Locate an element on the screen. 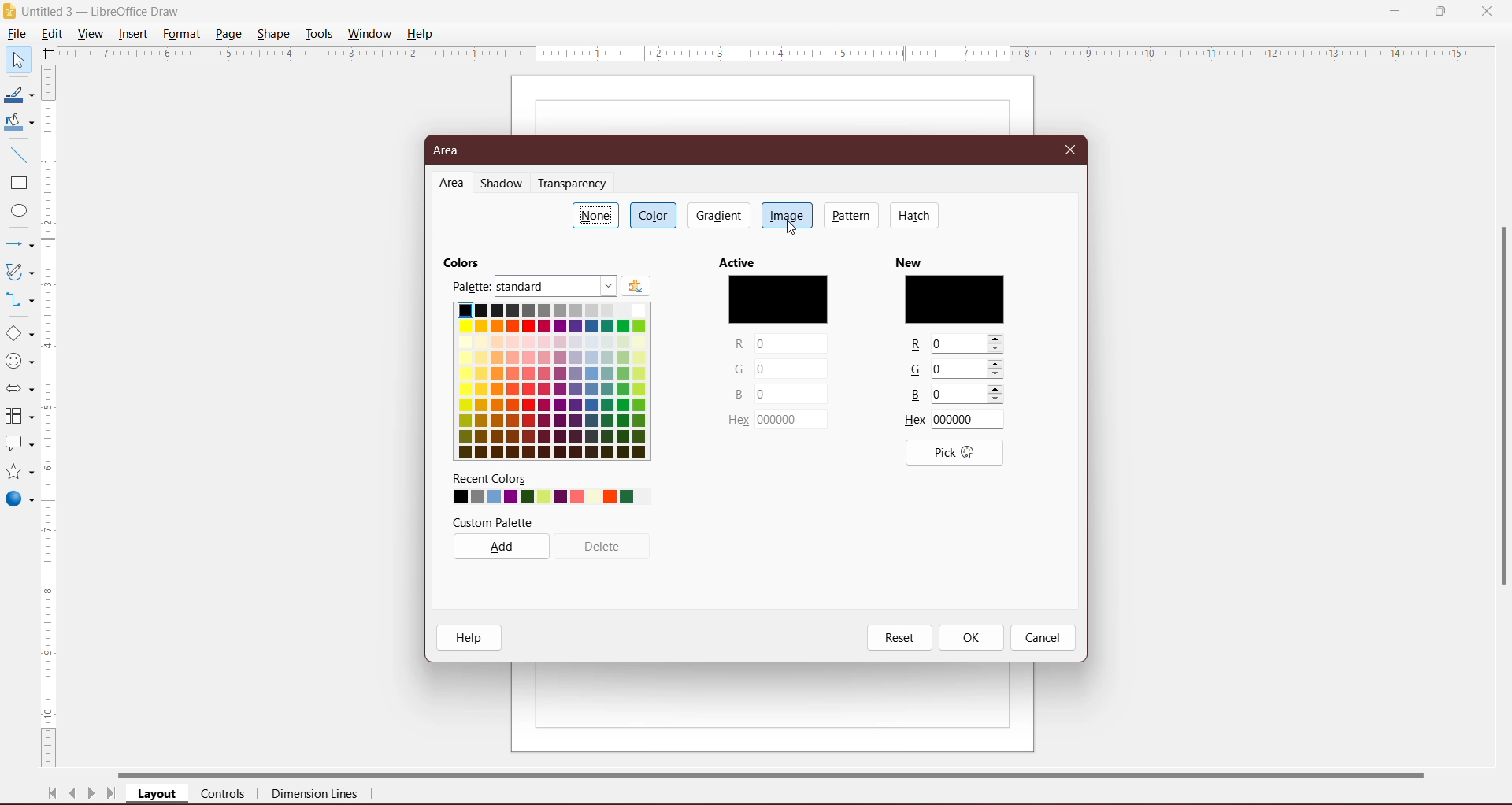 This screenshot has width=1512, height=805.  is located at coordinates (917, 369).